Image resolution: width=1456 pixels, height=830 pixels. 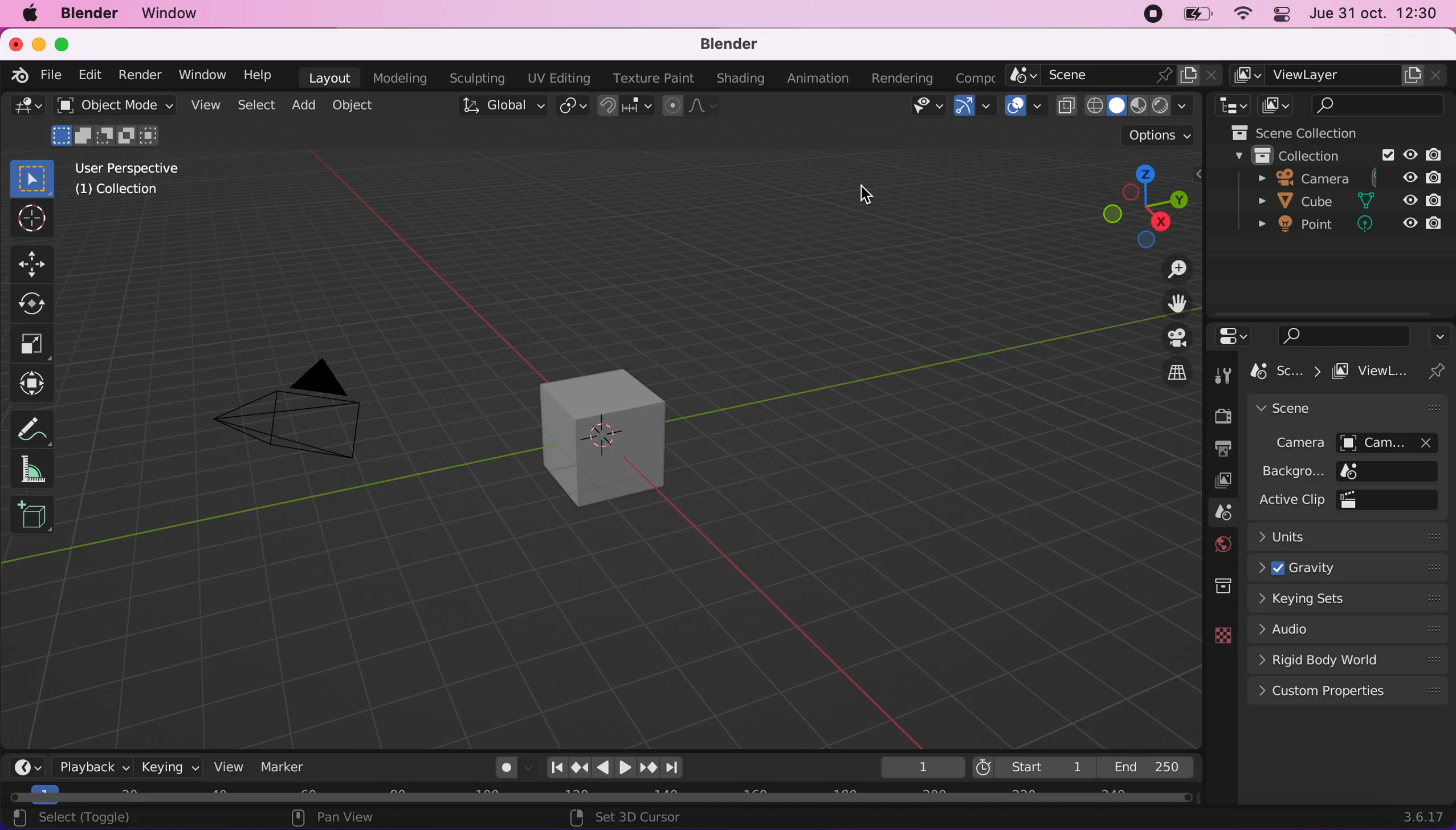 I want to click on transform pivot points, so click(x=570, y=107).